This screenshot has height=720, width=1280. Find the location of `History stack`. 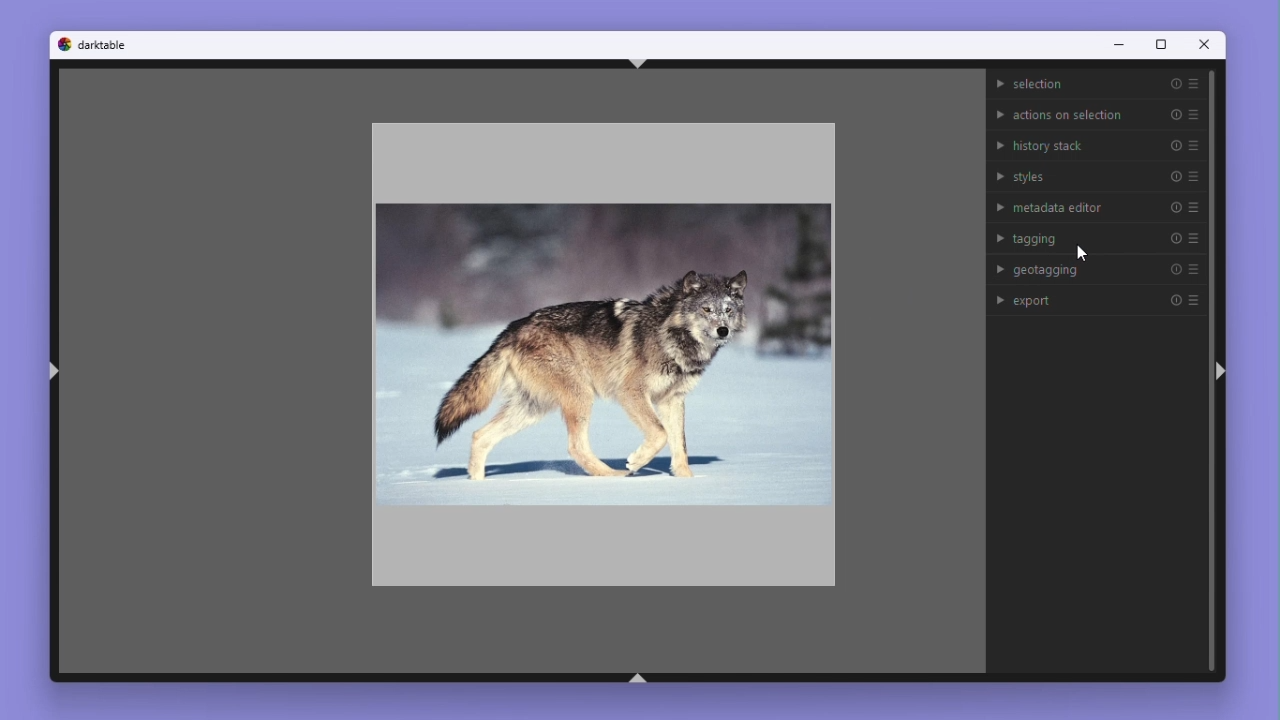

History stack is located at coordinates (1096, 144).